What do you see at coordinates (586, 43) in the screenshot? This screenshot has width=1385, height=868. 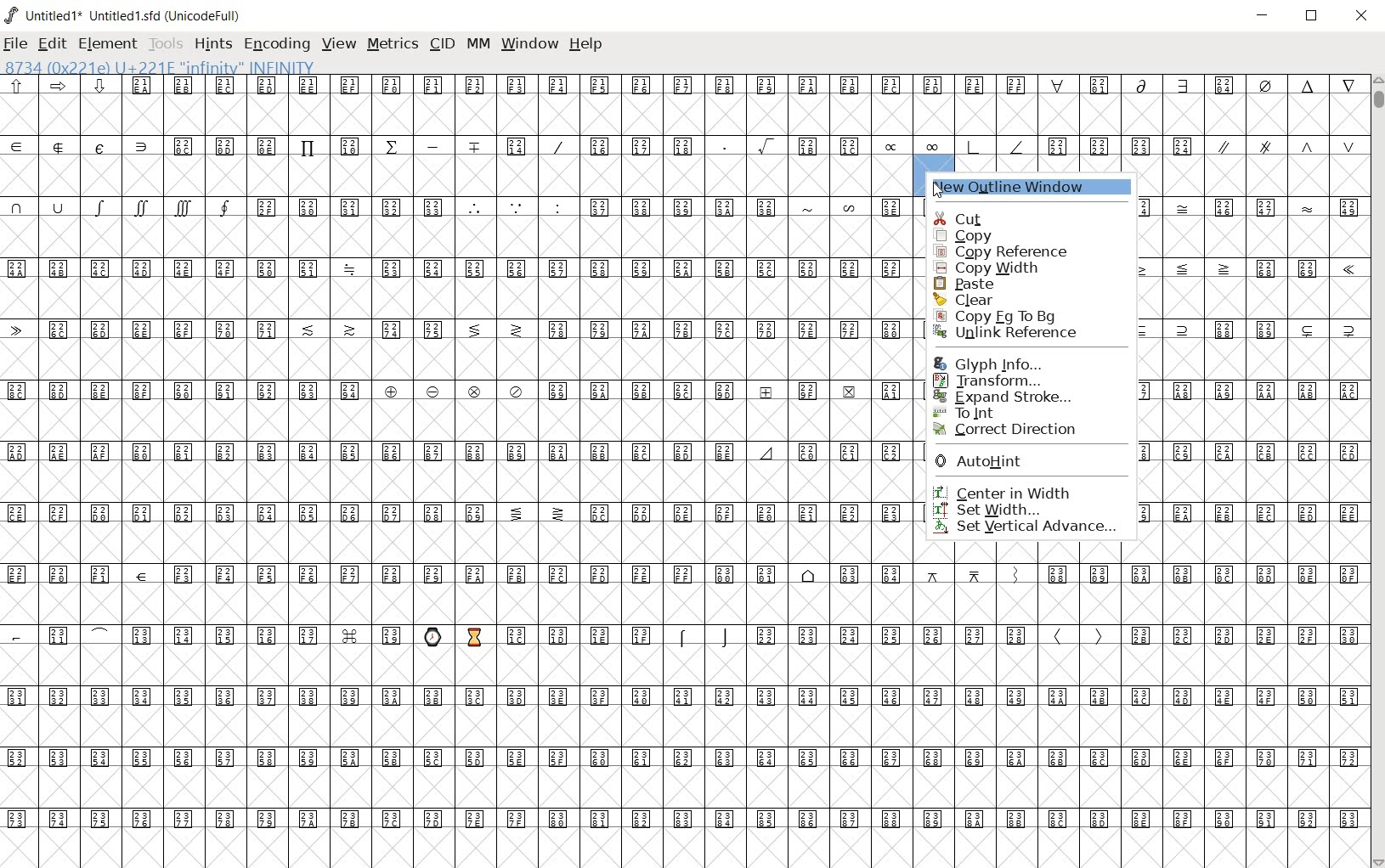 I see `help` at bounding box center [586, 43].